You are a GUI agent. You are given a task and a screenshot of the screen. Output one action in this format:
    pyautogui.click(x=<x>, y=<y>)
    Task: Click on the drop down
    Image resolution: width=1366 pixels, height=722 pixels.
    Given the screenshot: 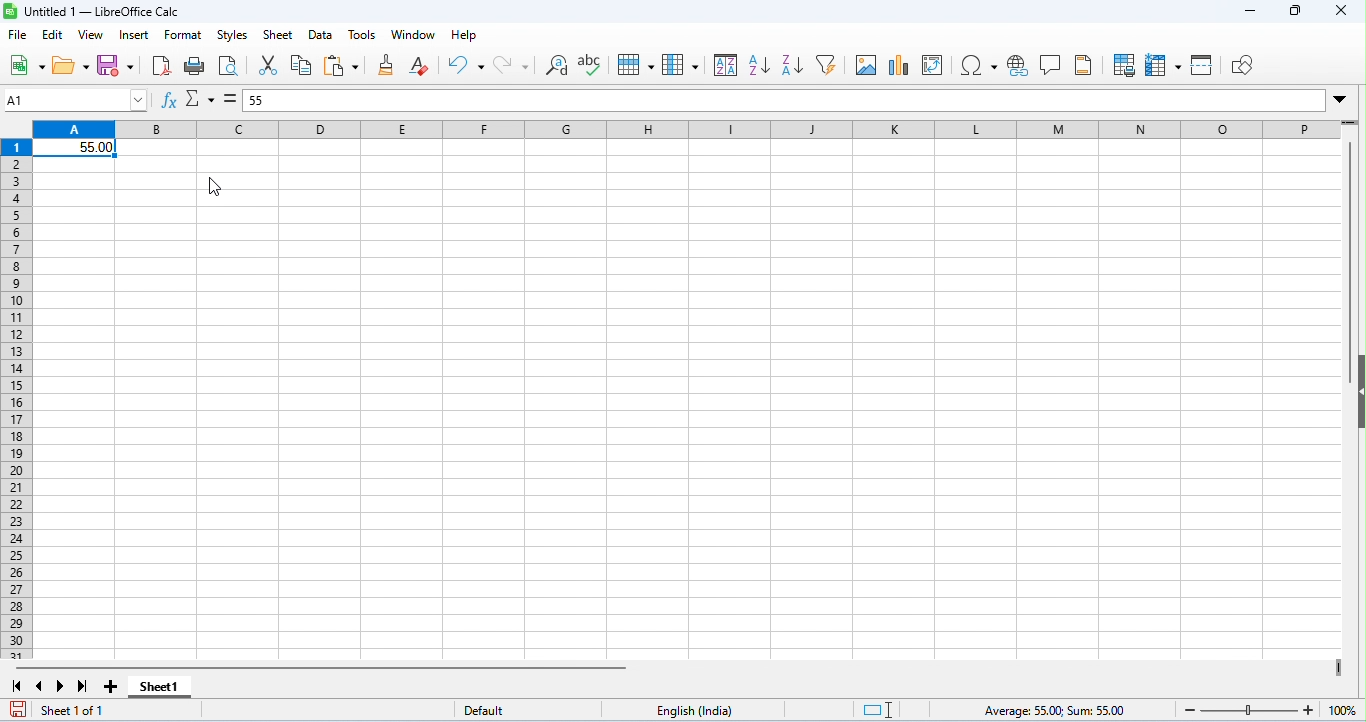 What is the action you would take?
    pyautogui.click(x=1343, y=101)
    